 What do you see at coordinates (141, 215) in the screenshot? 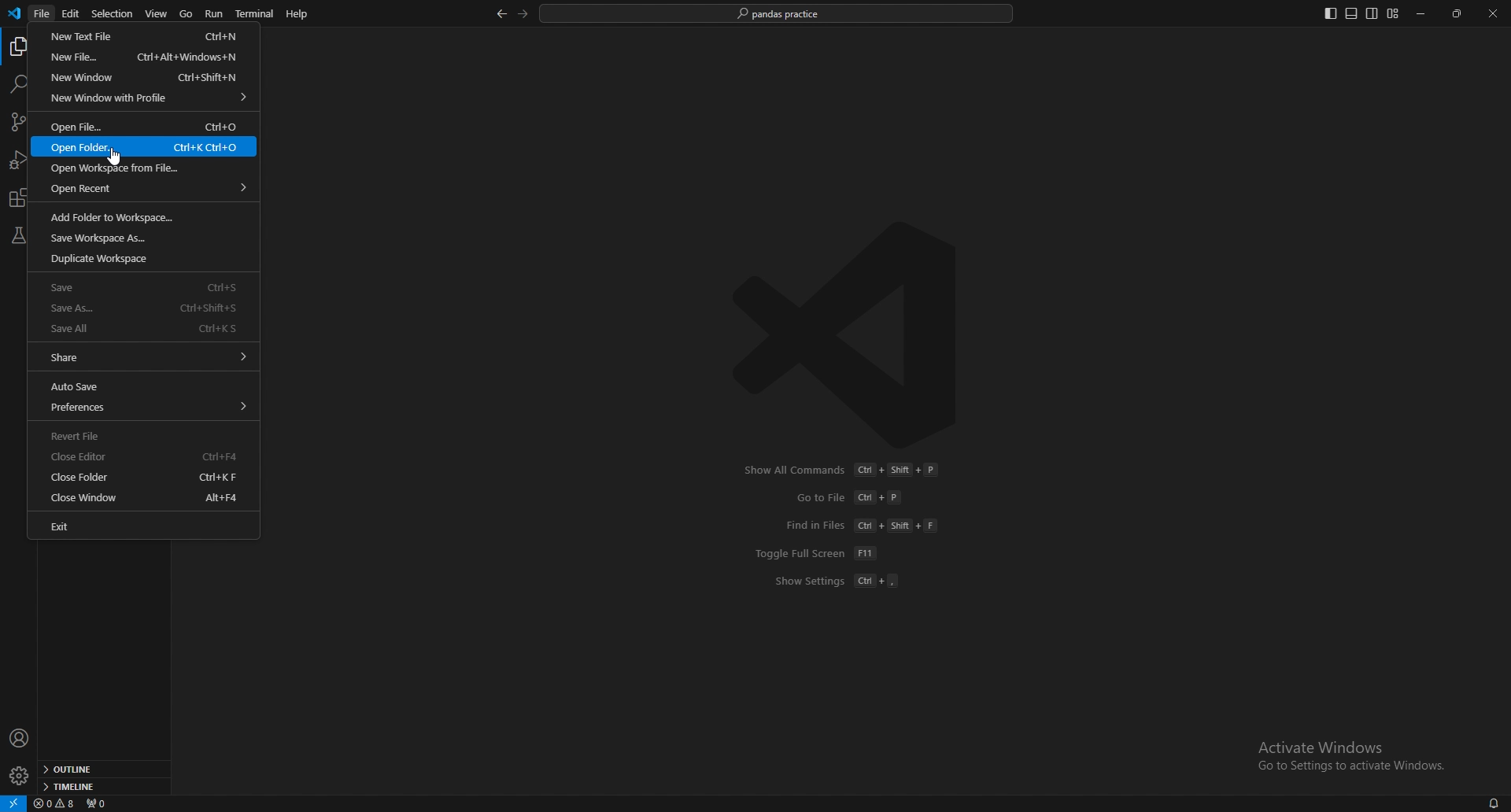
I see `add folder to workspace` at bounding box center [141, 215].